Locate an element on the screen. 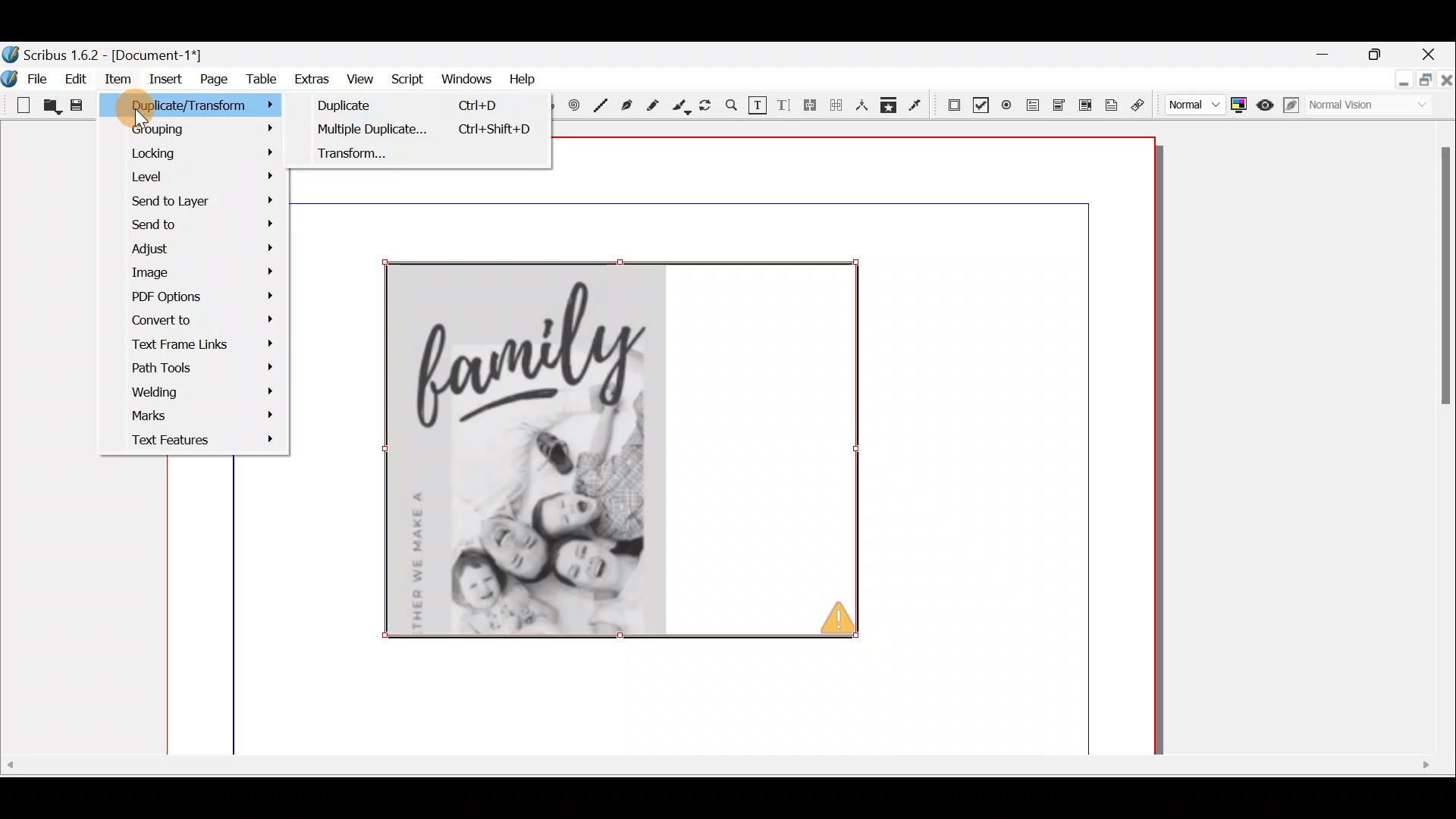 The width and height of the screenshot is (1456, 819). Link annotation is located at coordinates (1141, 105).